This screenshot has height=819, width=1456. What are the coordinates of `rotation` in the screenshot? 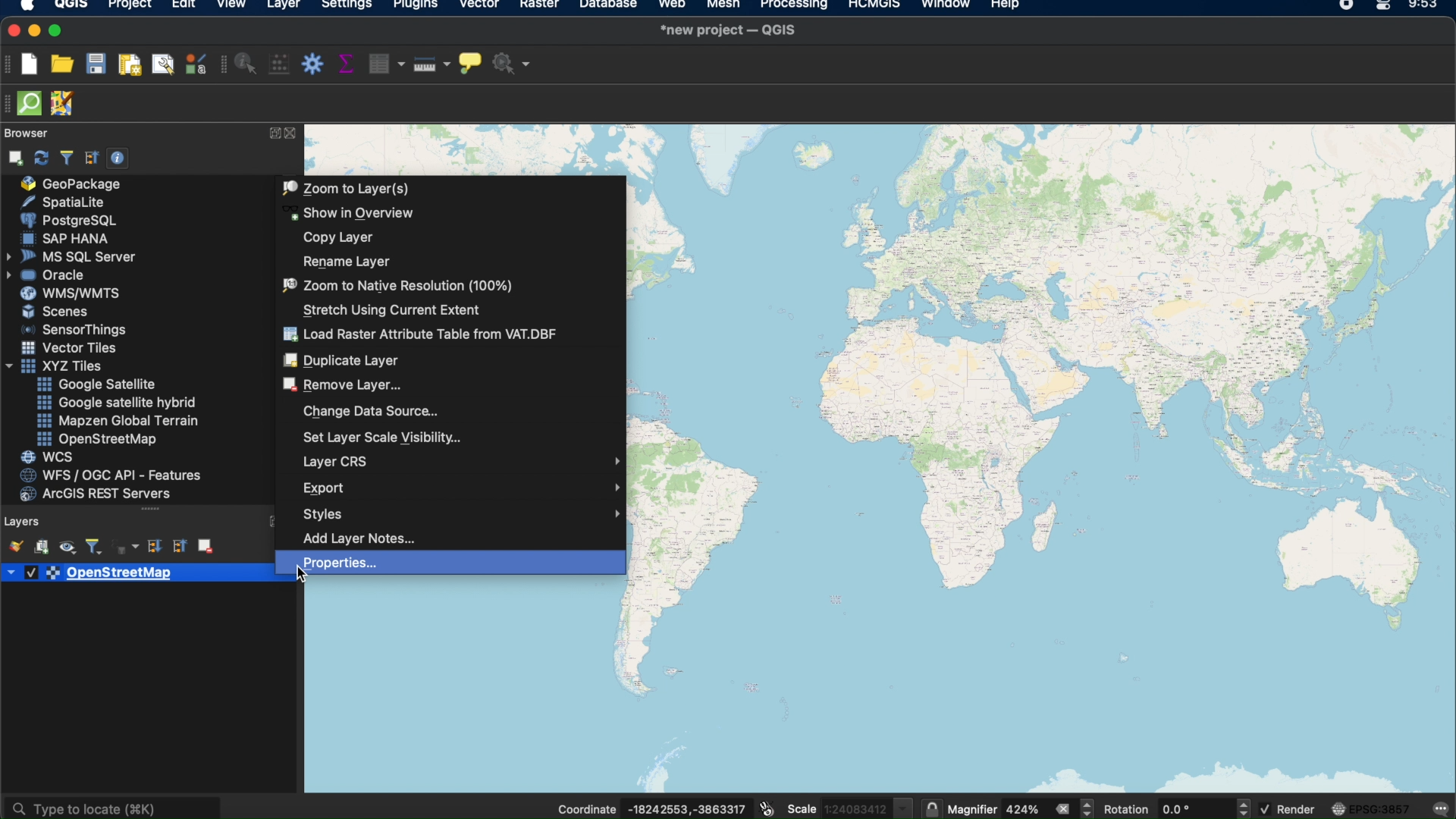 It's located at (1176, 805).